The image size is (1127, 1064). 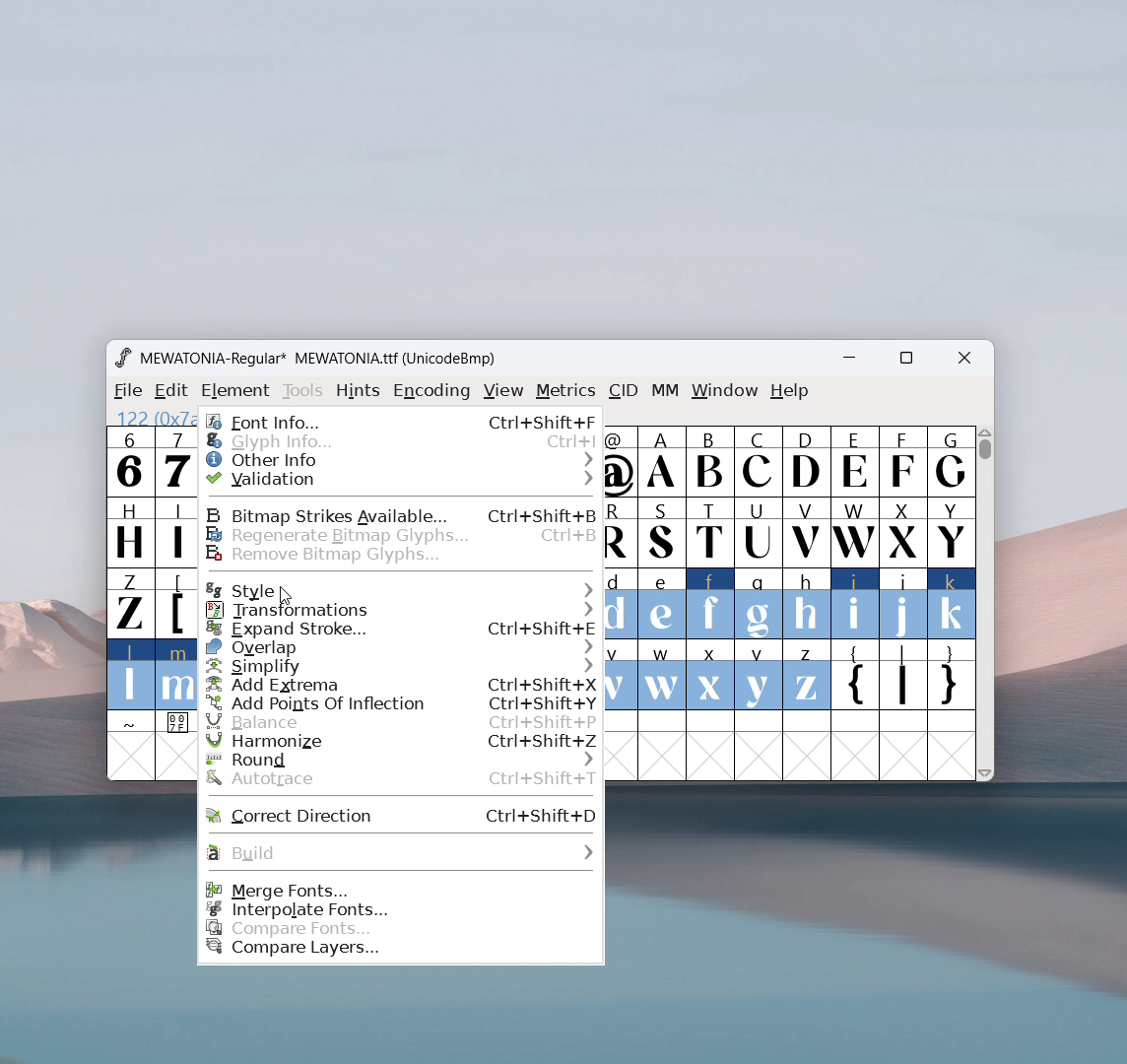 I want to click on edit, so click(x=172, y=391).